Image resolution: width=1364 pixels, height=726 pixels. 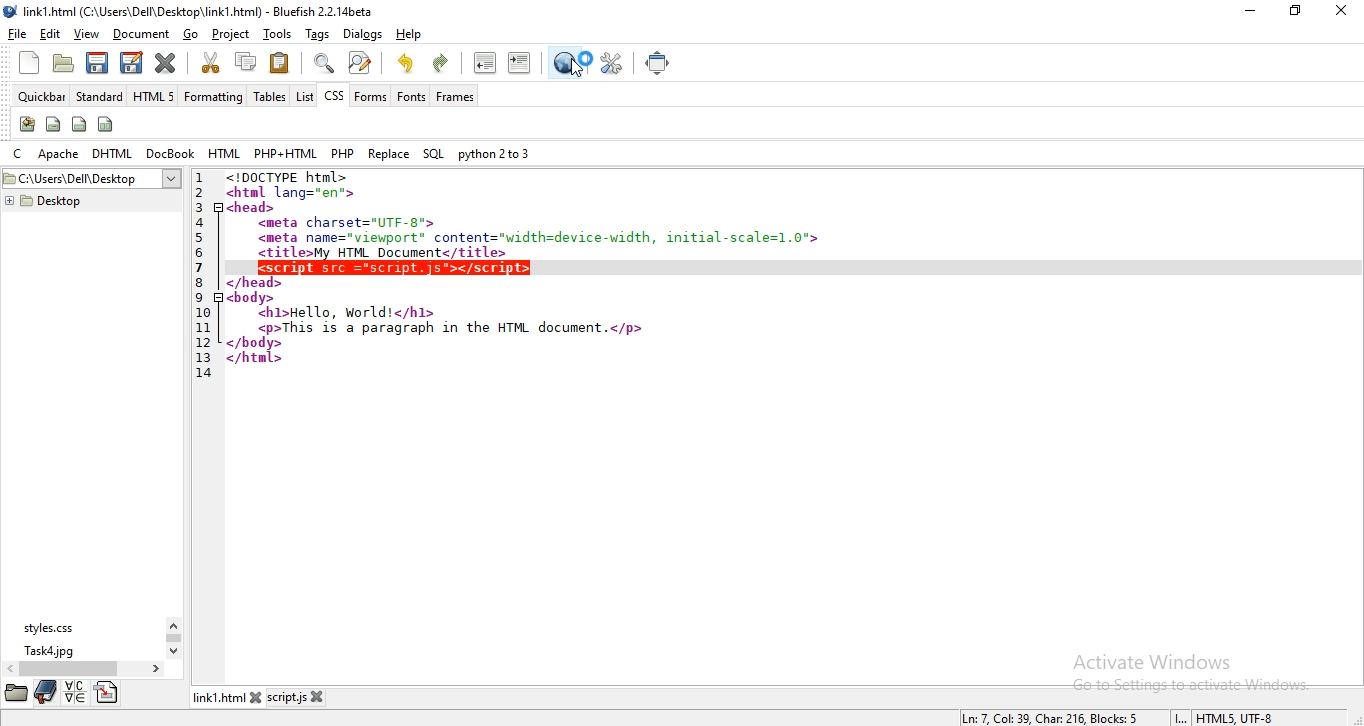 What do you see at coordinates (45, 691) in the screenshot?
I see `bookmark` at bounding box center [45, 691].